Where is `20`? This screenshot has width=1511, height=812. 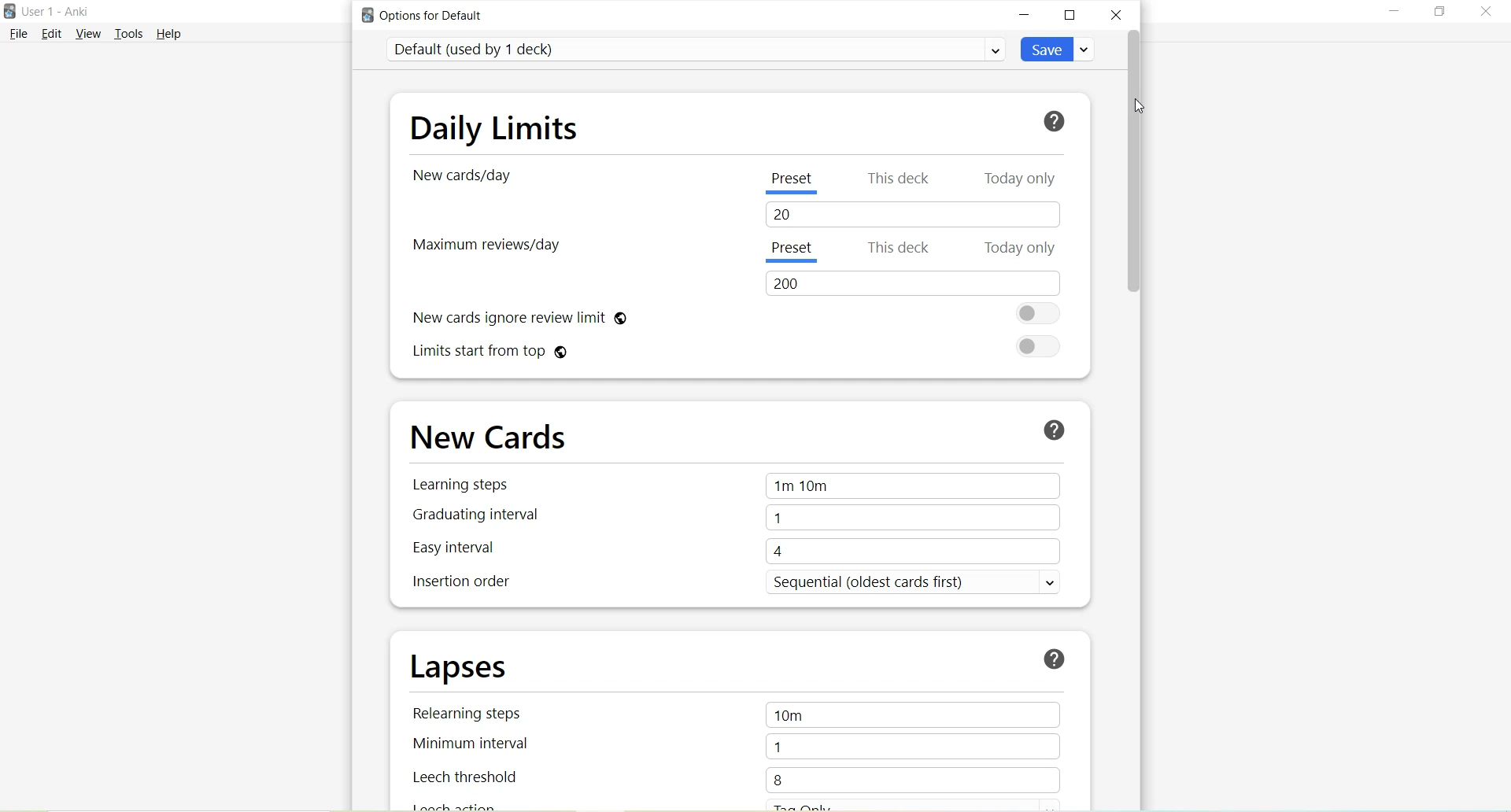 20 is located at coordinates (918, 214).